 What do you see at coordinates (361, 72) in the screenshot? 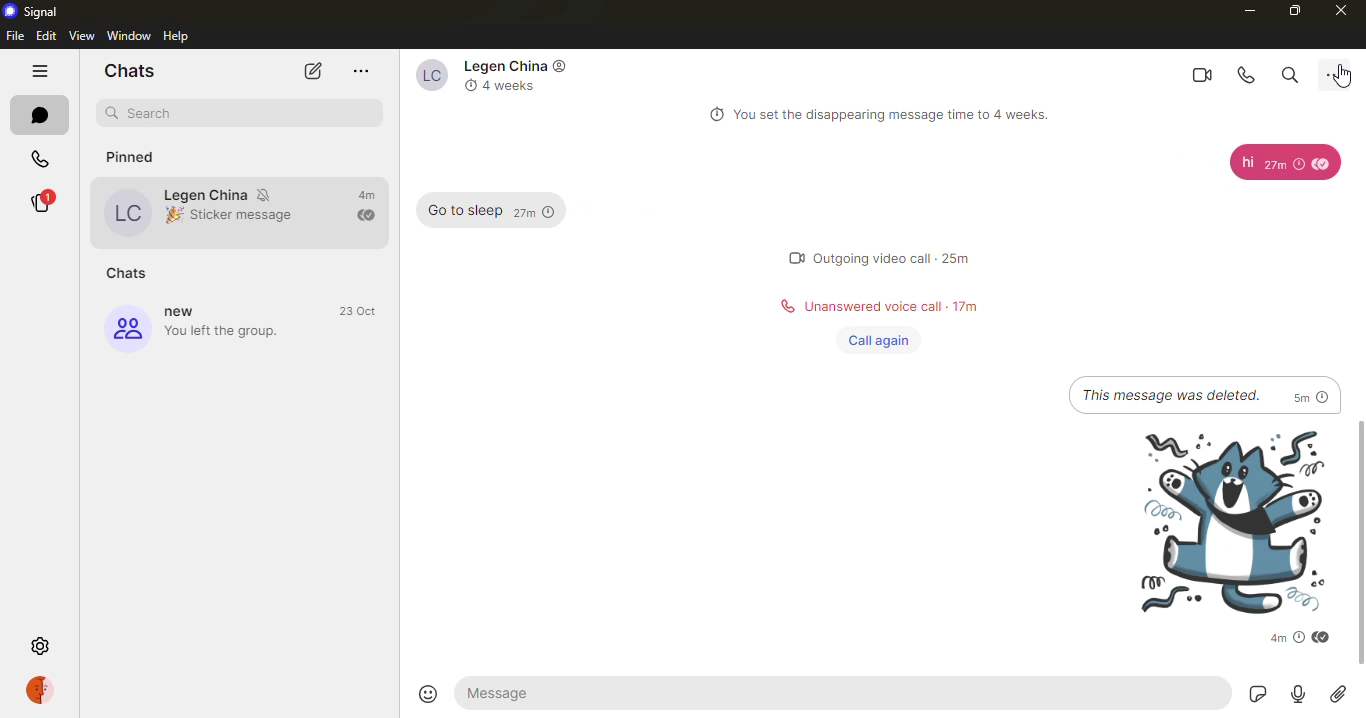
I see `more` at bounding box center [361, 72].